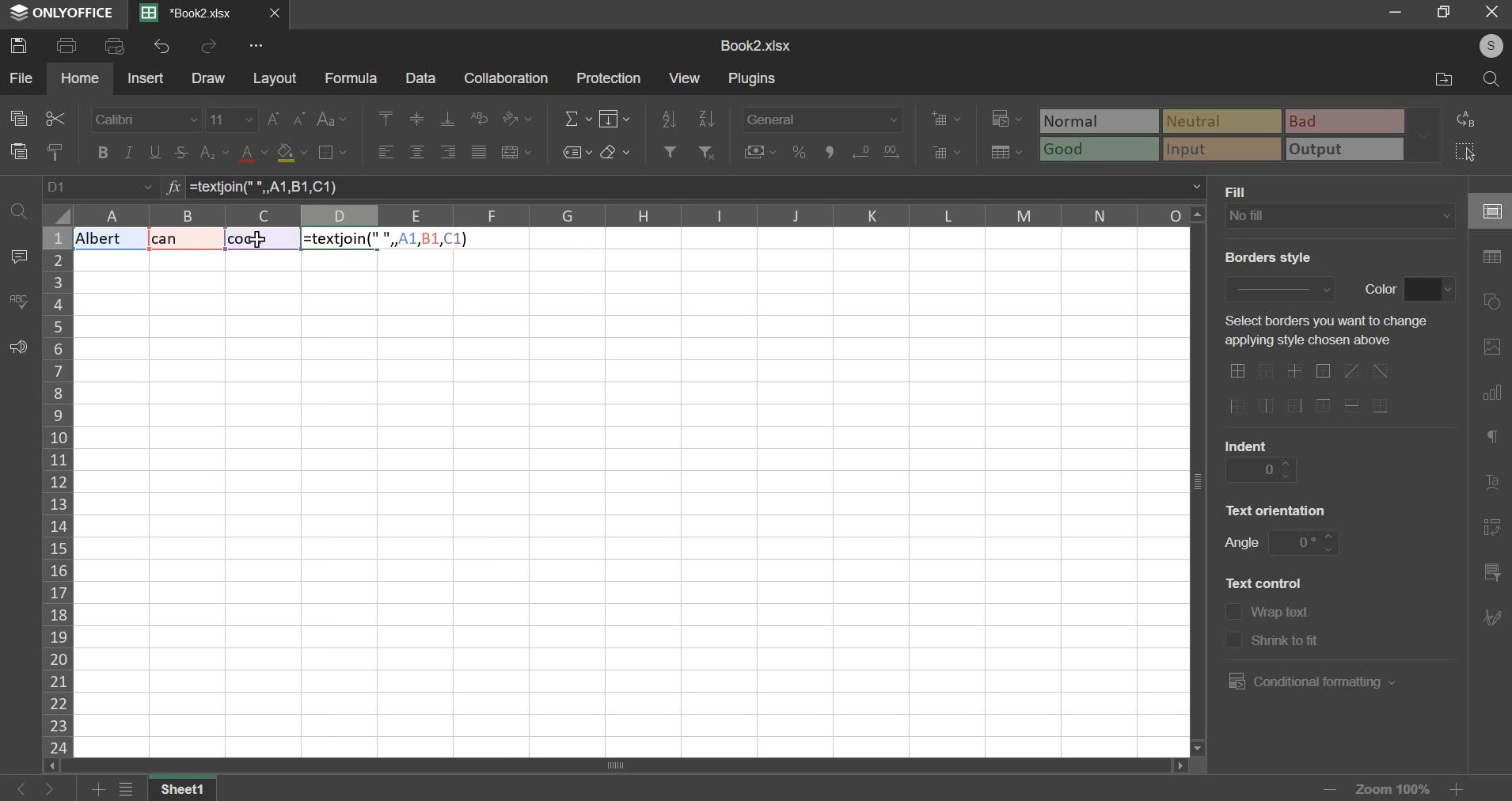 This screenshot has height=801, width=1512. What do you see at coordinates (18, 119) in the screenshot?
I see `copy` at bounding box center [18, 119].